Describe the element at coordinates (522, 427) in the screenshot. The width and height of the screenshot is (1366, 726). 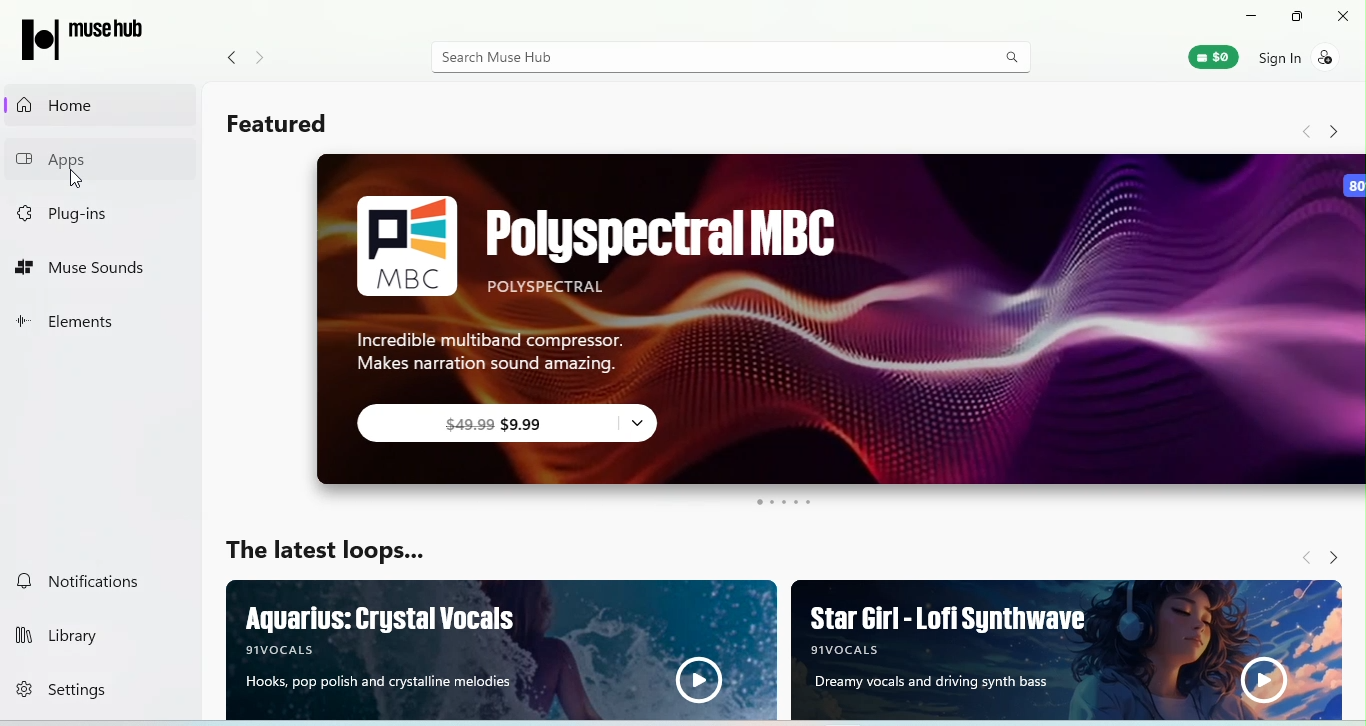
I see `$49.99 $9.99 v` at that location.